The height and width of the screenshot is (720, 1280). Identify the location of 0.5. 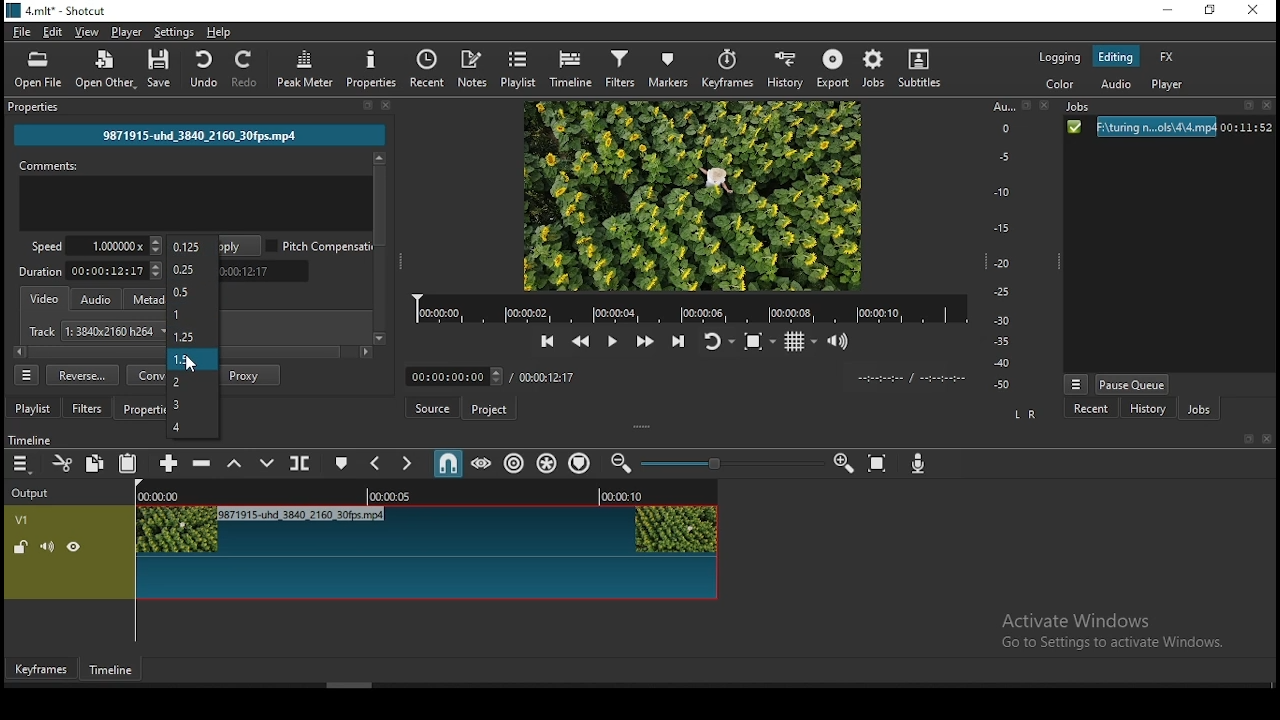
(193, 293).